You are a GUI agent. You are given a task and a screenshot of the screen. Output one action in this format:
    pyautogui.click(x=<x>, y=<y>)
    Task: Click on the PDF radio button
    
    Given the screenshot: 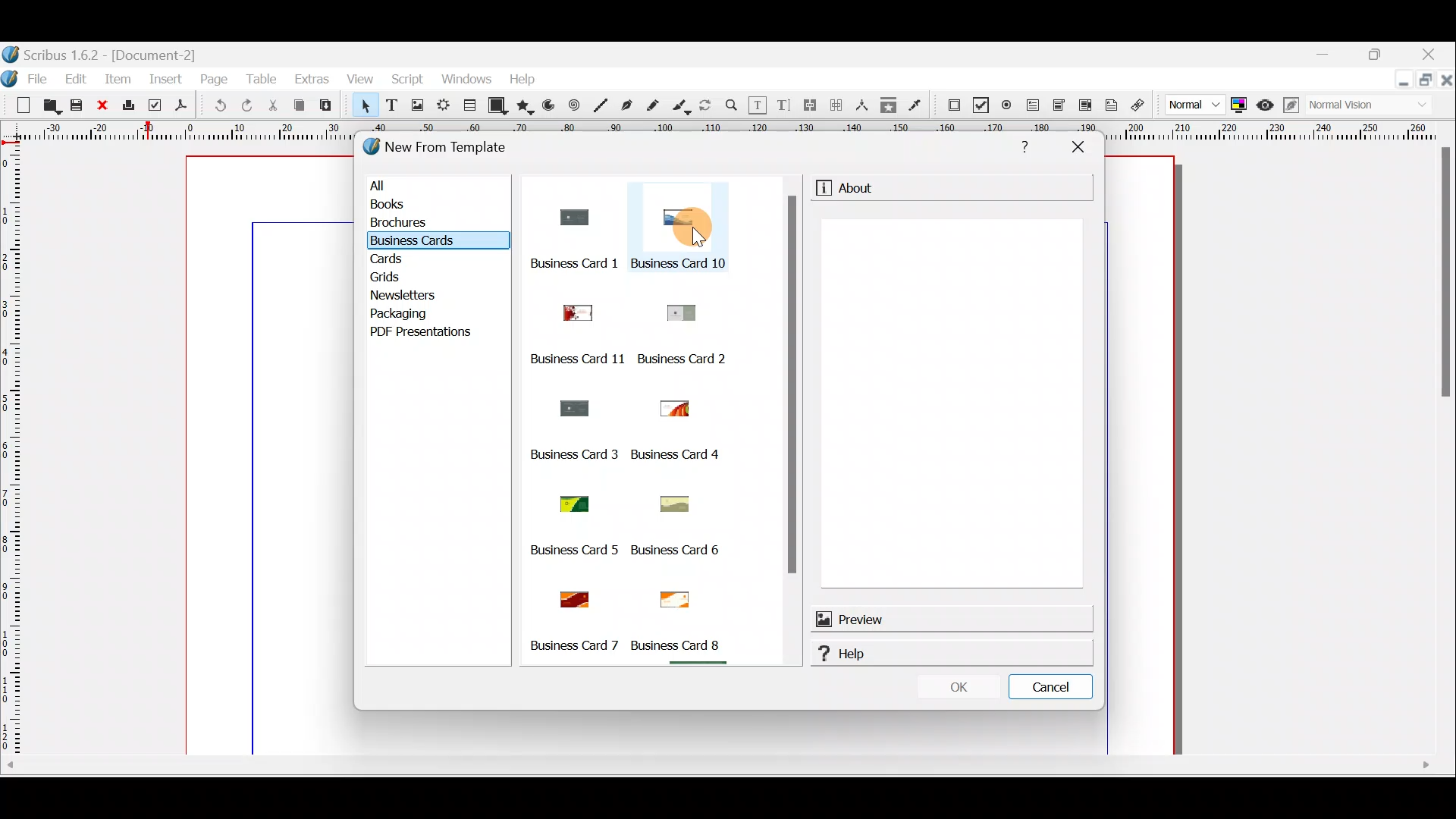 What is the action you would take?
    pyautogui.click(x=1007, y=104)
    